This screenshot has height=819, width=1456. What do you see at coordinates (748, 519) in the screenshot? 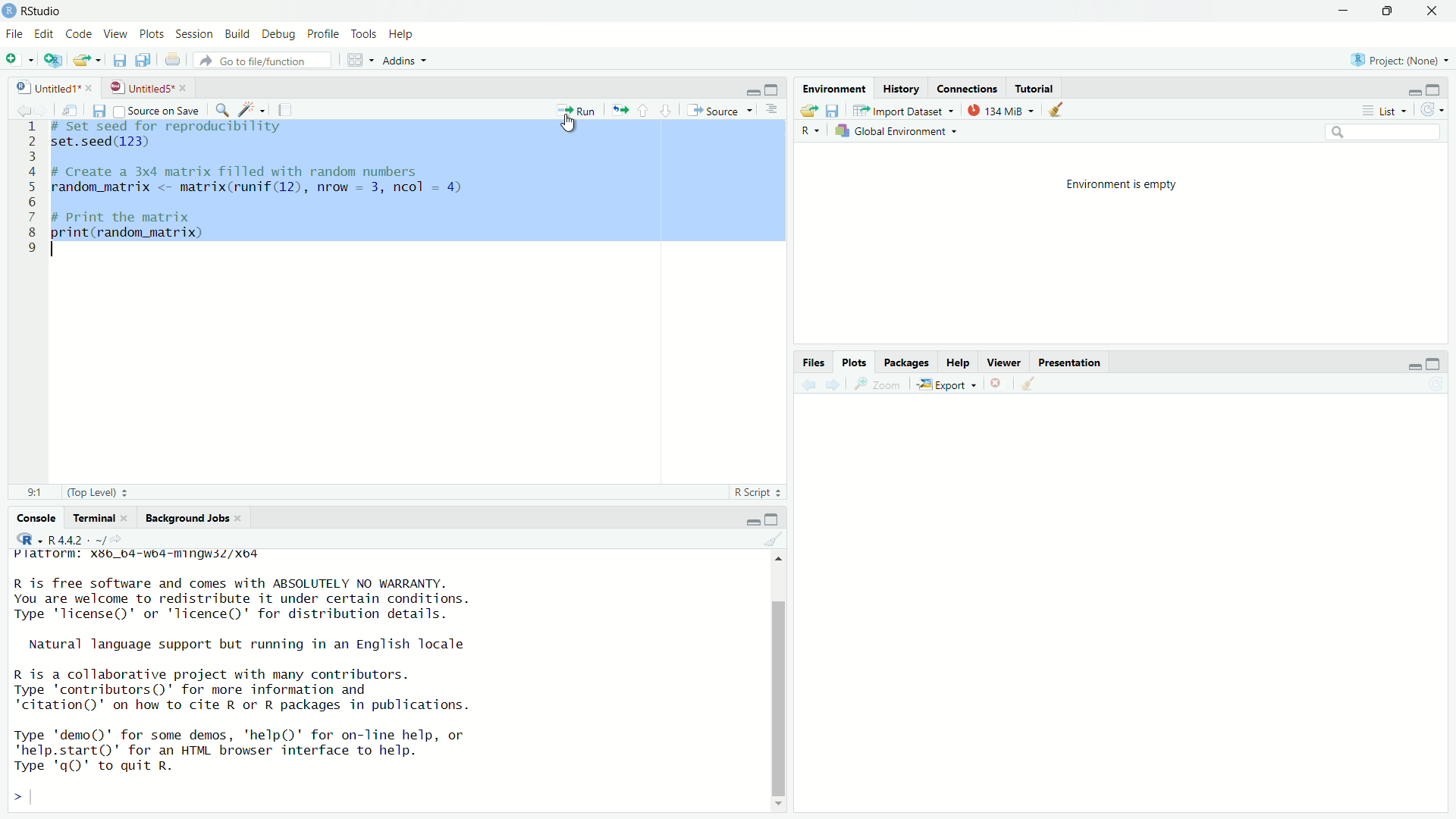
I see `minimise` at bounding box center [748, 519].